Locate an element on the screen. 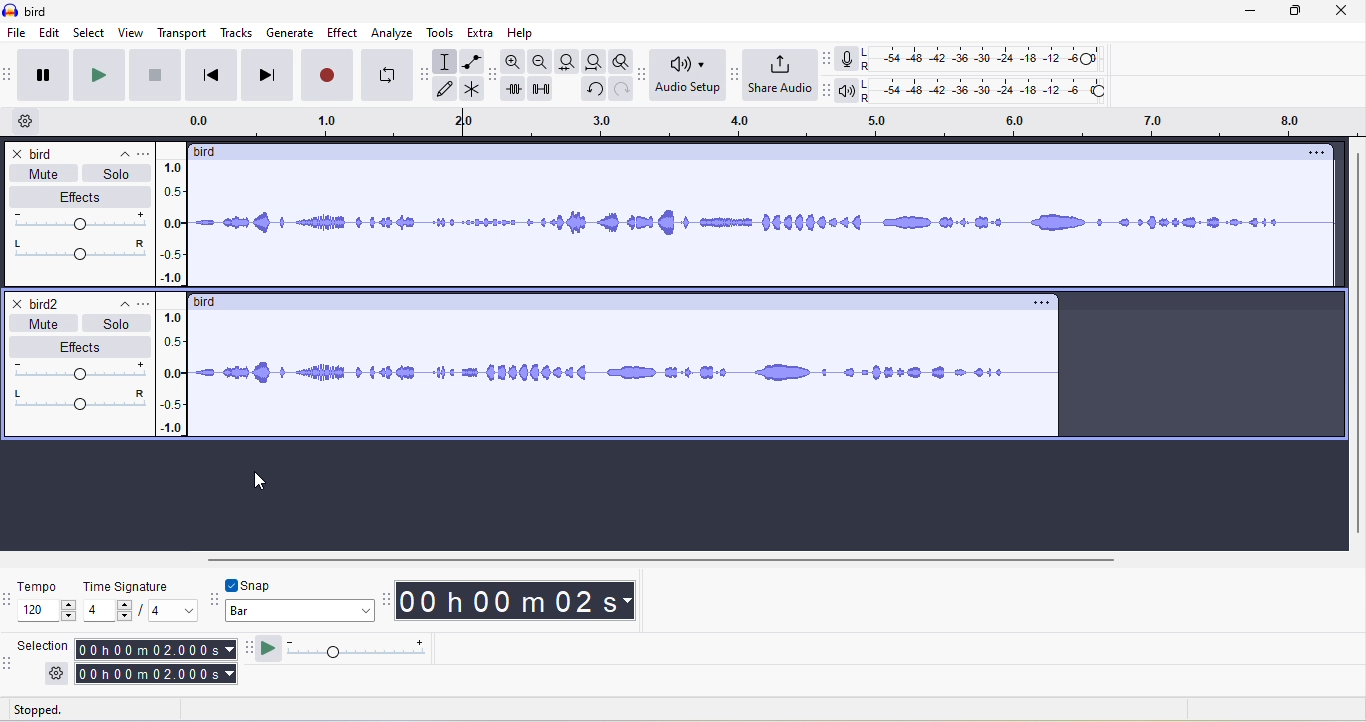 This screenshot has width=1366, height=722. pan: center is located at coordinates (77, 248).